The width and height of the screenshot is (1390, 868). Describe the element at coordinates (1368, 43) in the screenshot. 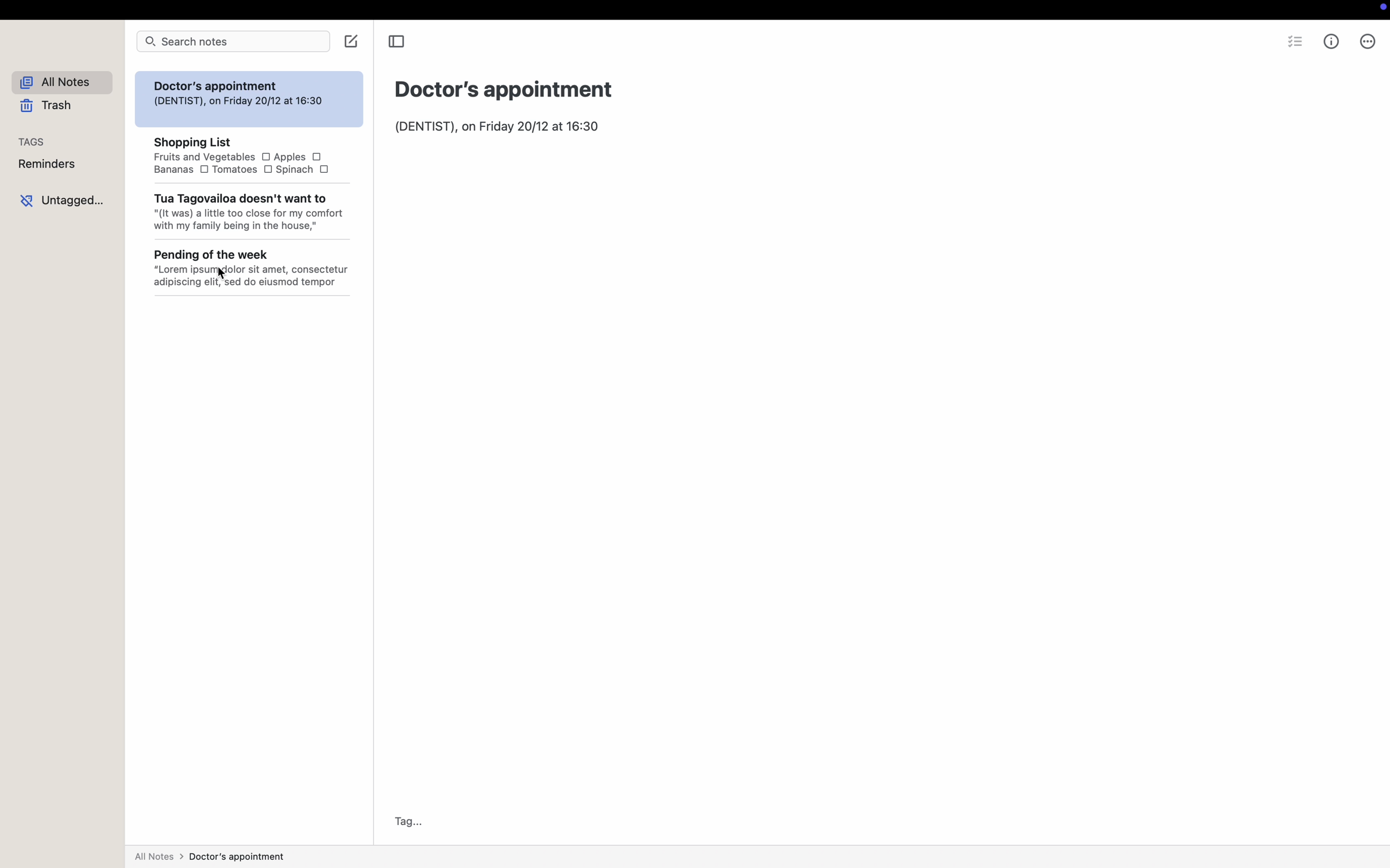

I see `more options` at that location.